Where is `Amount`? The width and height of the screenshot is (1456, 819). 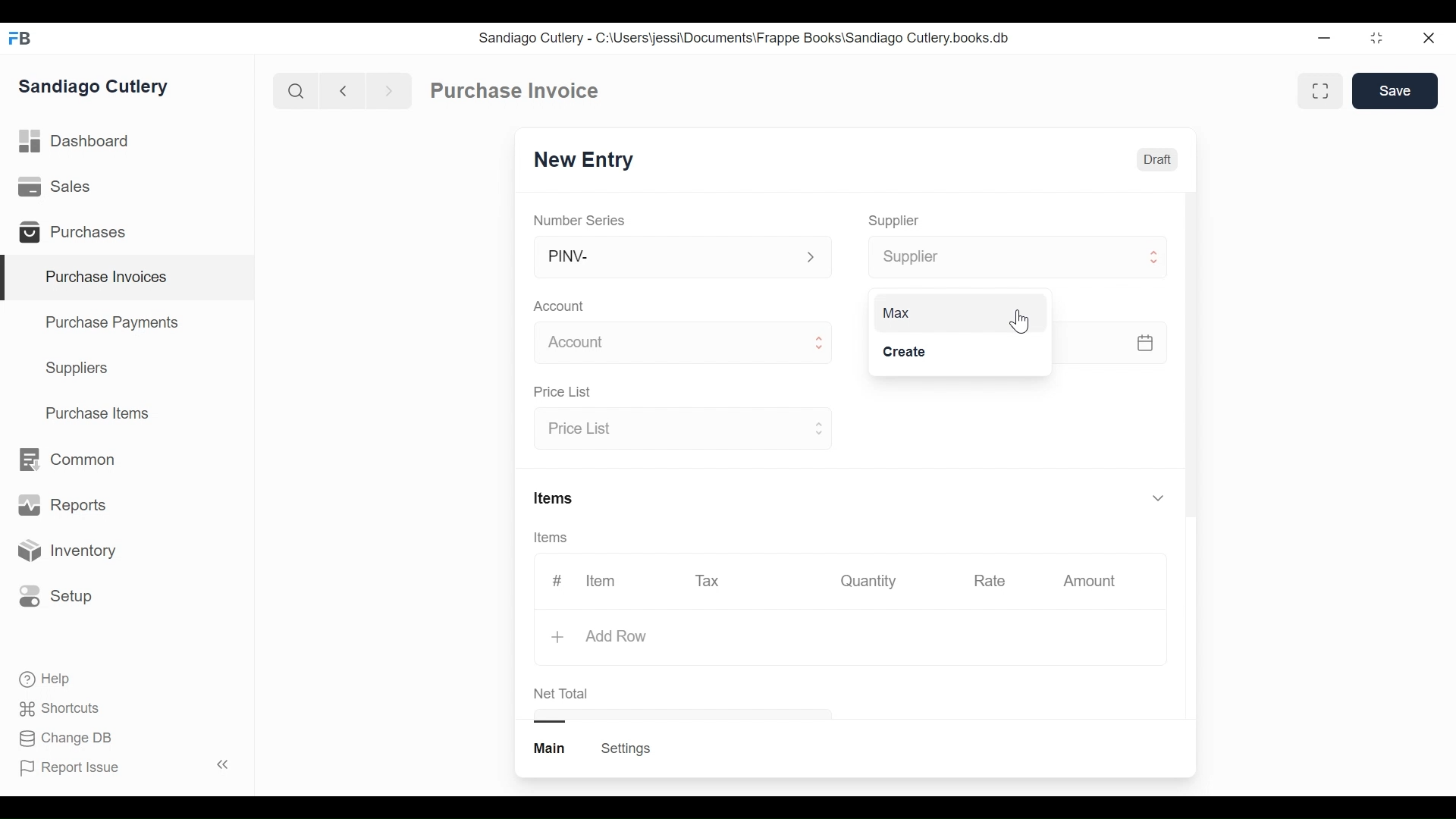
Amount is located at coordinates (1093, 582).